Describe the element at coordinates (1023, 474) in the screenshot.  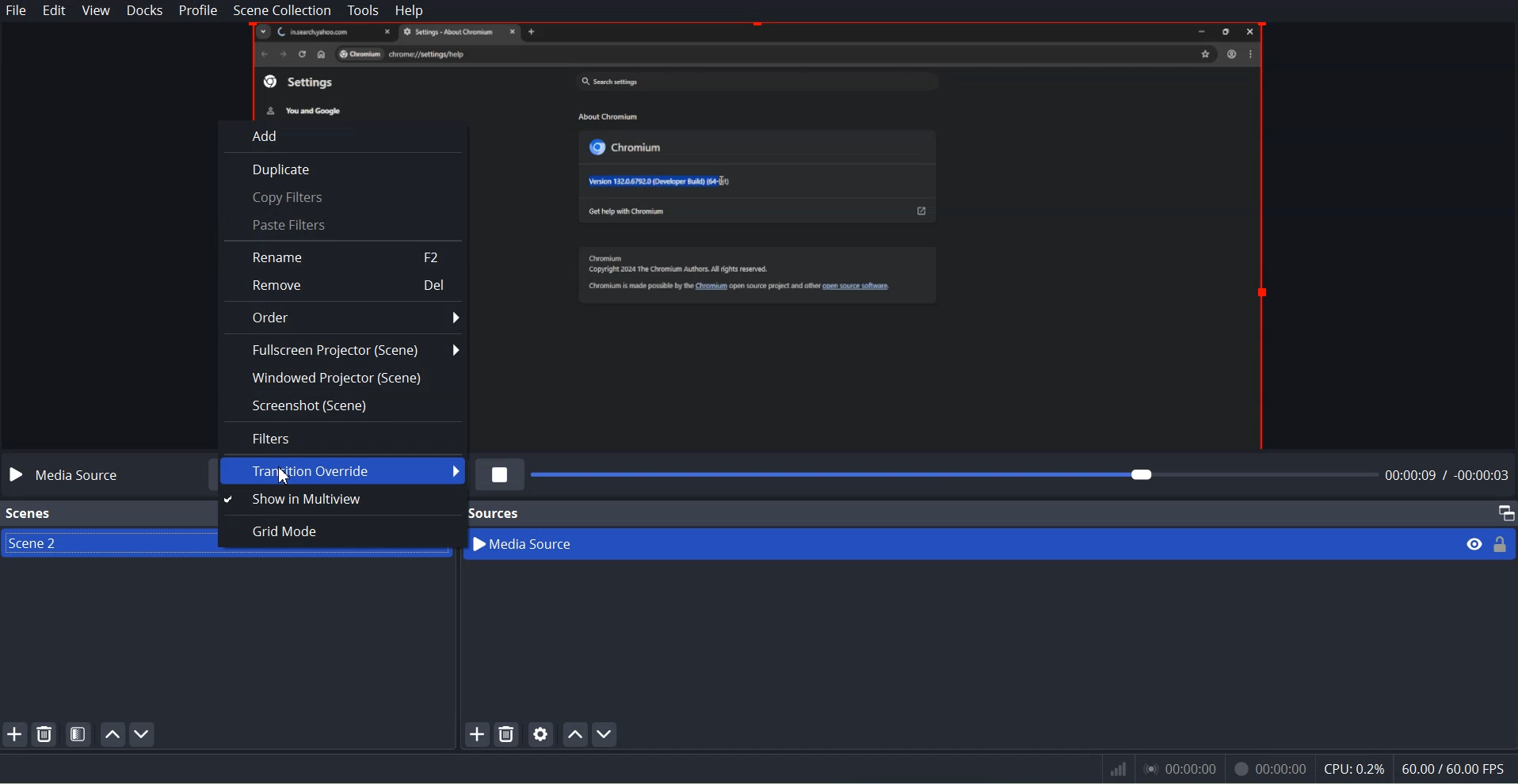
I see `File time adjuster` at that location.